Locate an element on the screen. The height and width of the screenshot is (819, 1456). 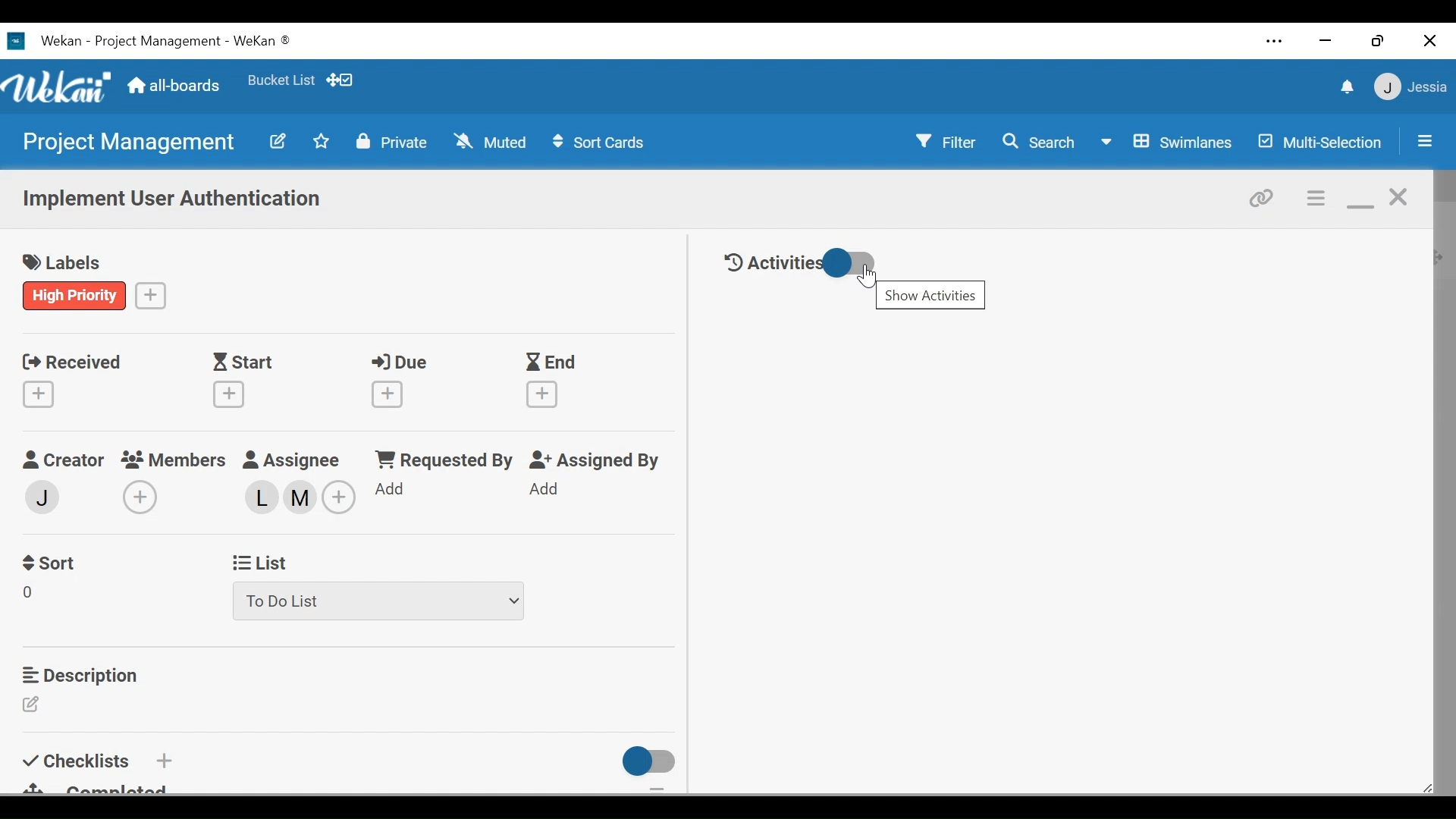
Show is located at coordinates (871, 278).